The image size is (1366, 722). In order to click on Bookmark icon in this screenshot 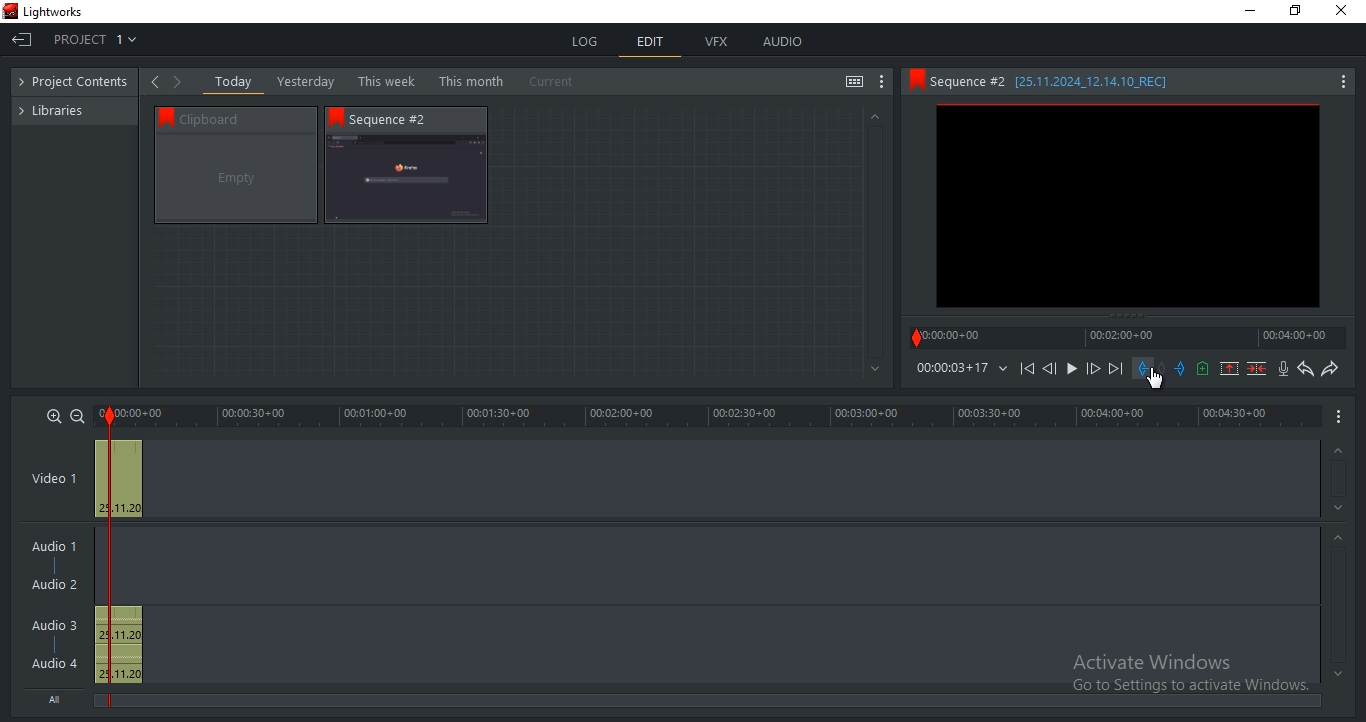, I will do `click(336, 117)`.